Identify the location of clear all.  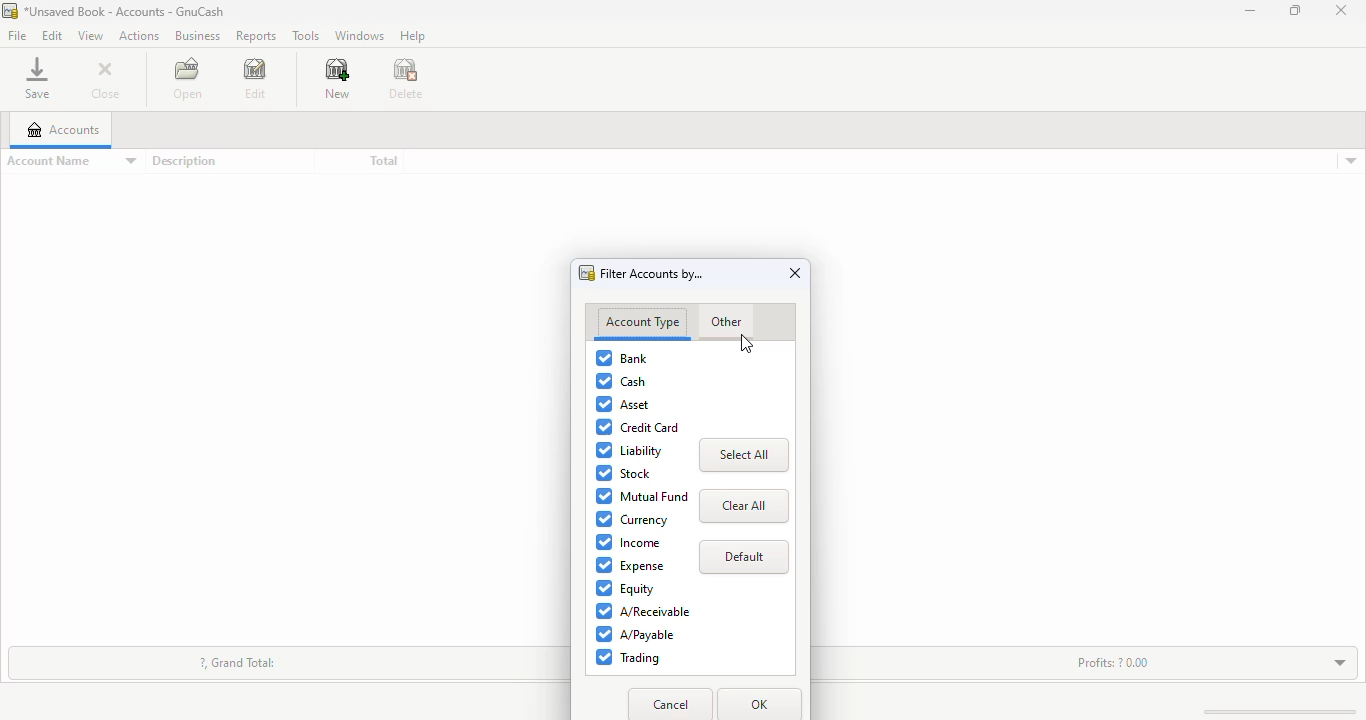
(744, 506).